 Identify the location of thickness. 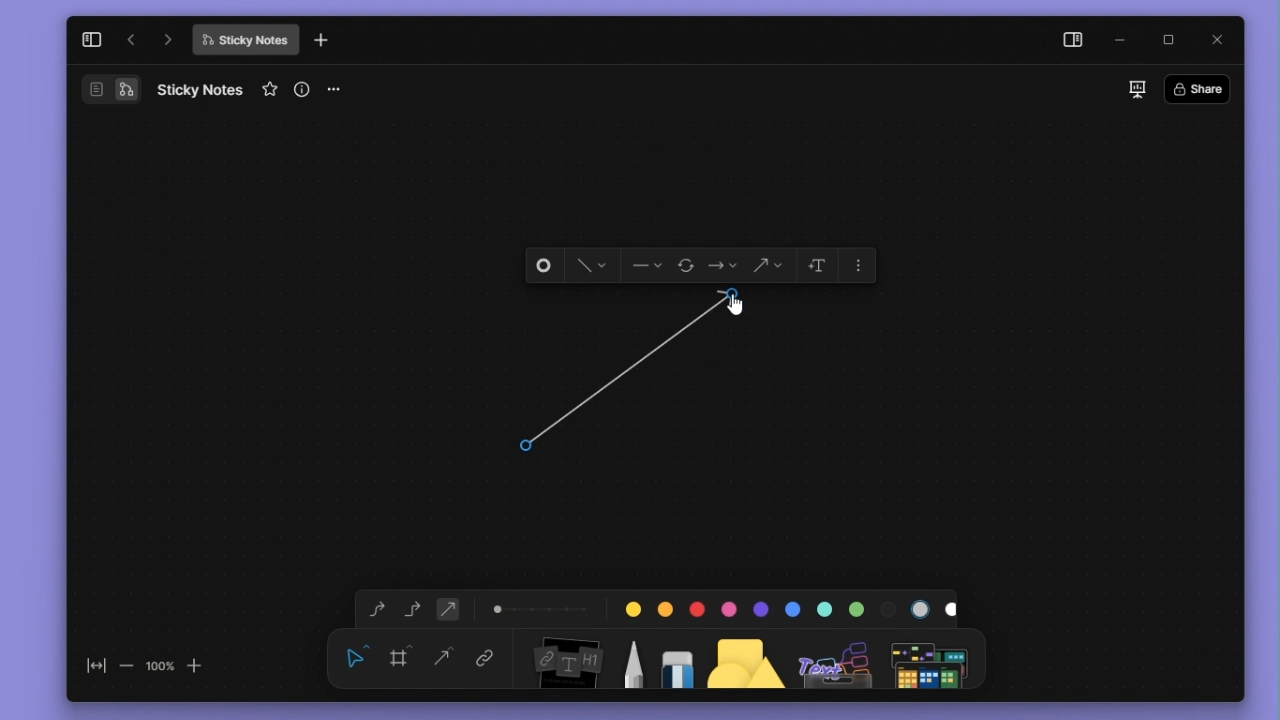
(541, 607).